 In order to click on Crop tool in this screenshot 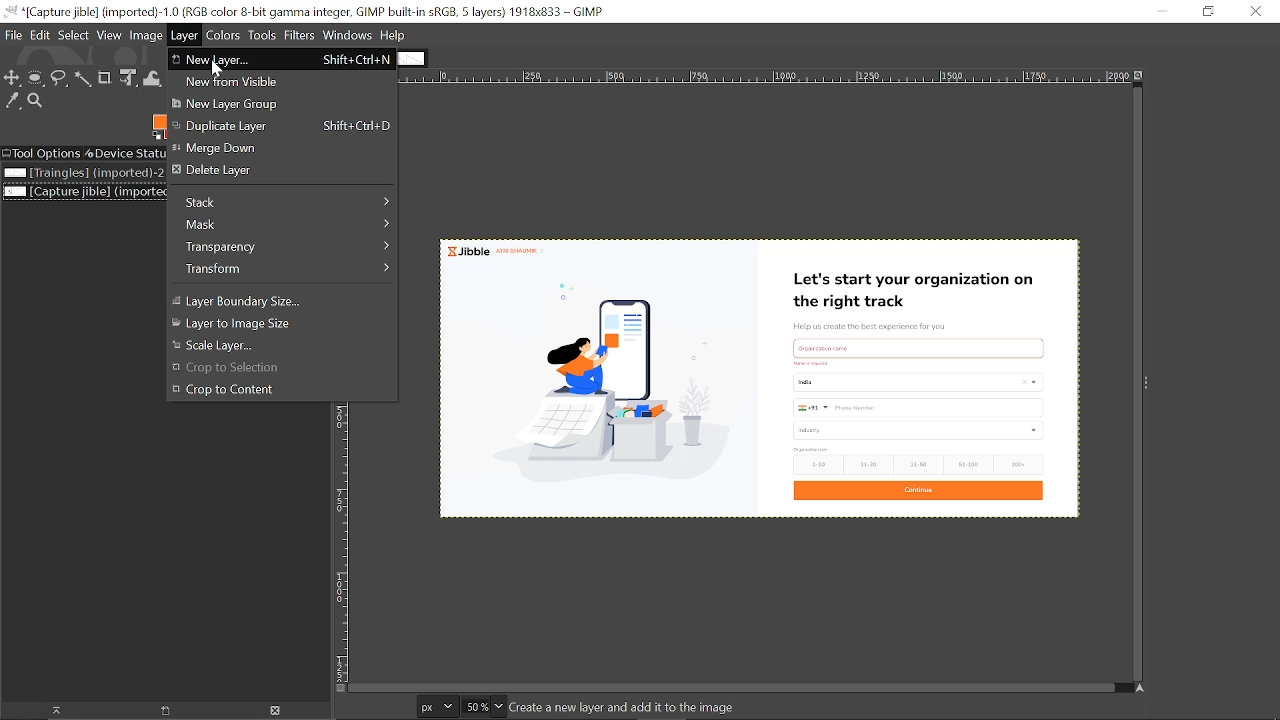, I will do `click(106, 78)`.